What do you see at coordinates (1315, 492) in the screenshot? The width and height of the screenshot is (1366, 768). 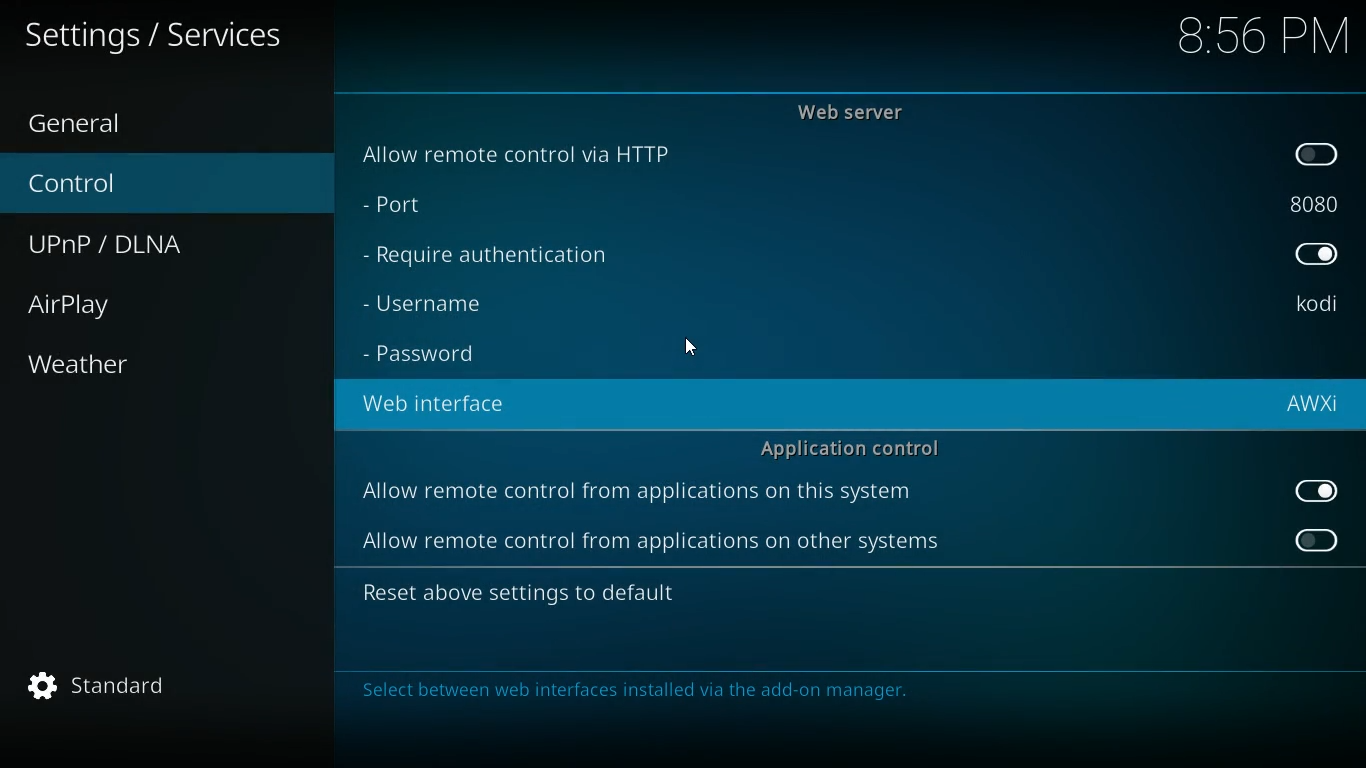 I see `On` at bounding box center [1315, 492].